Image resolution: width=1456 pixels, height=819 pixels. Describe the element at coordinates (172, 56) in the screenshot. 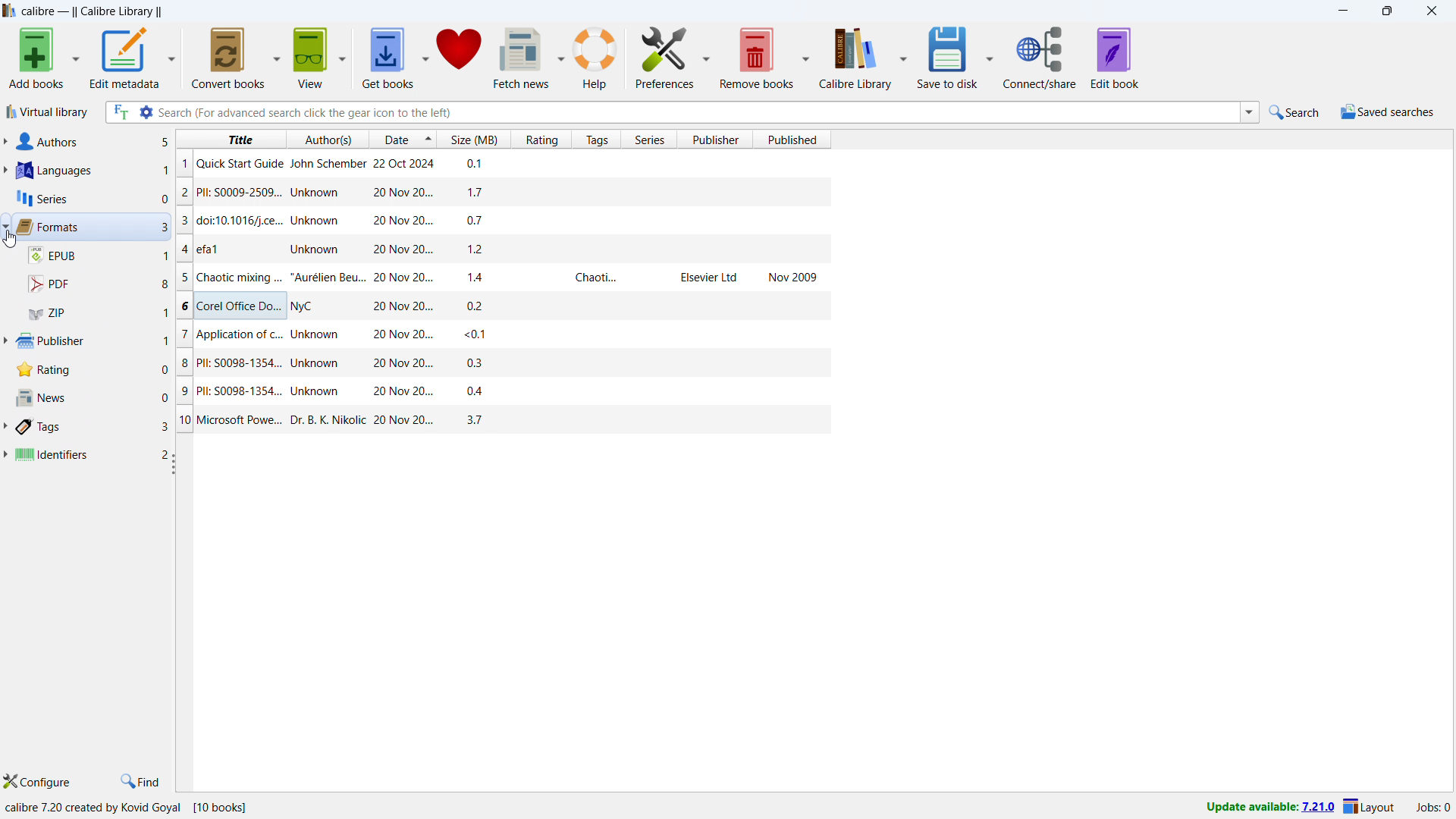

I see `edit metadata options` at that location.